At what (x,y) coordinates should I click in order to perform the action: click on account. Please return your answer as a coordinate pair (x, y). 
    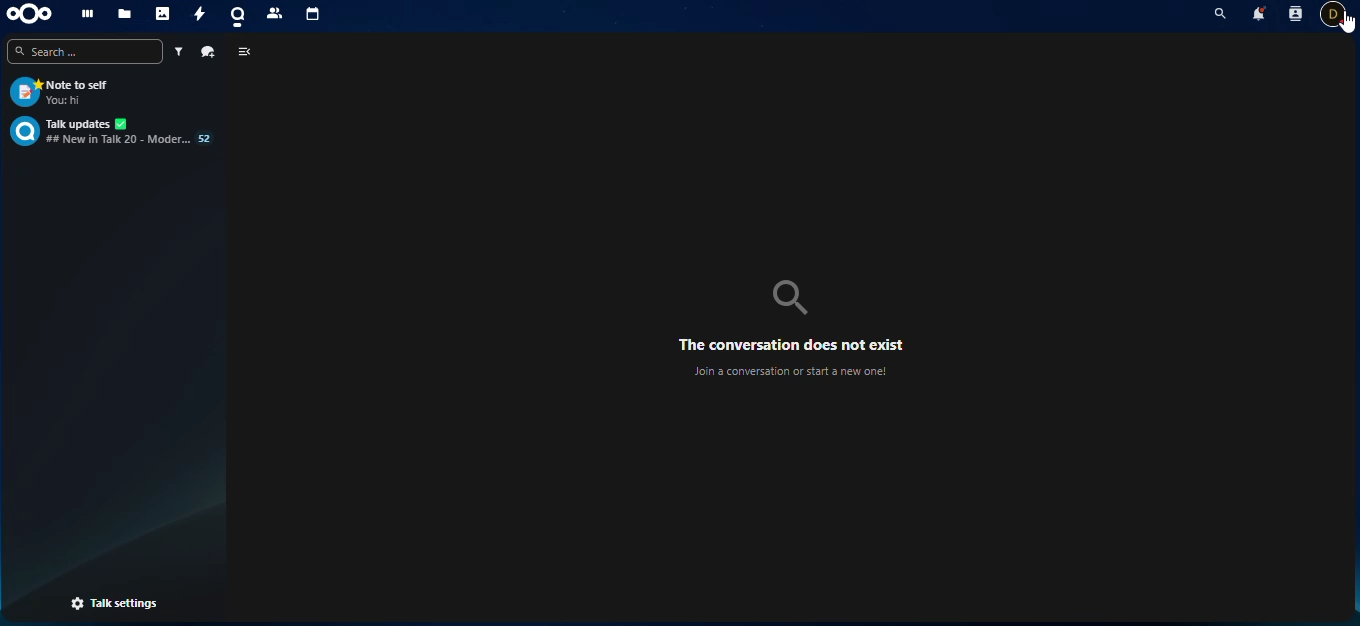
    Looking at the image, I should click on (1333, 14).